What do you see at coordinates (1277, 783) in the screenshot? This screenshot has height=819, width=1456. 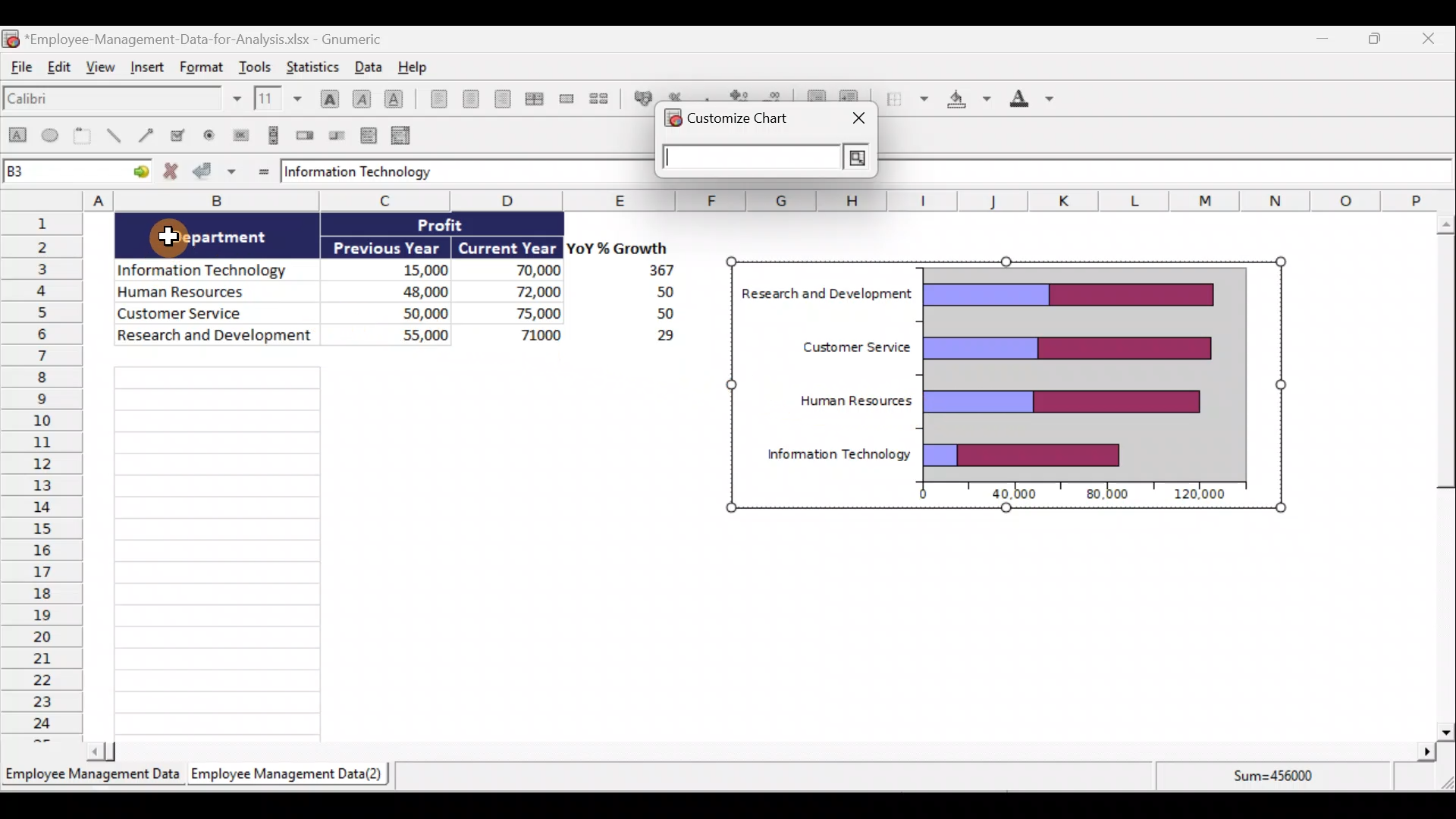 I see `Sum=456000` at bounding box center [1277, 783].